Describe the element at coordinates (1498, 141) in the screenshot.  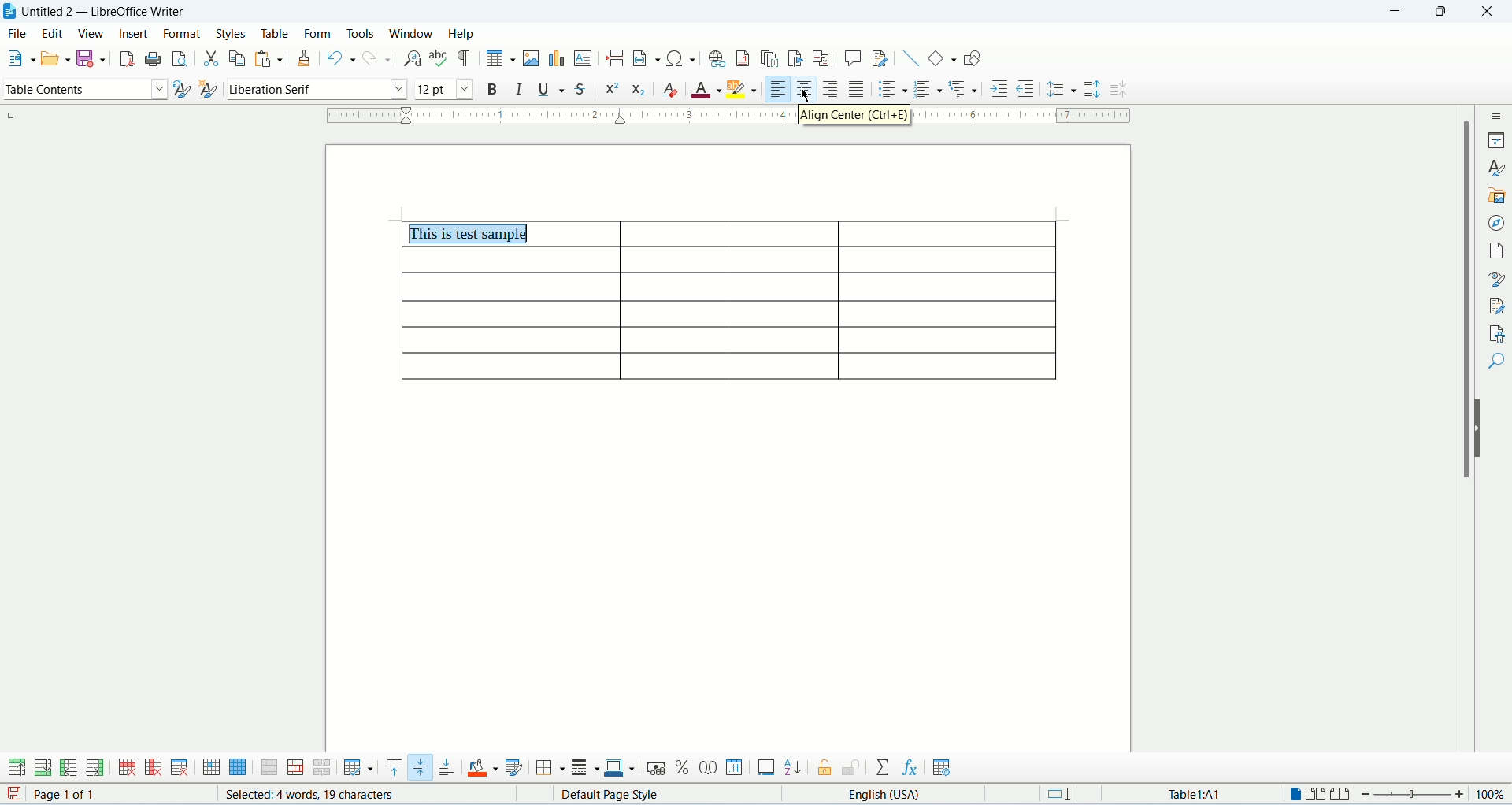
I see `properties` at that location.